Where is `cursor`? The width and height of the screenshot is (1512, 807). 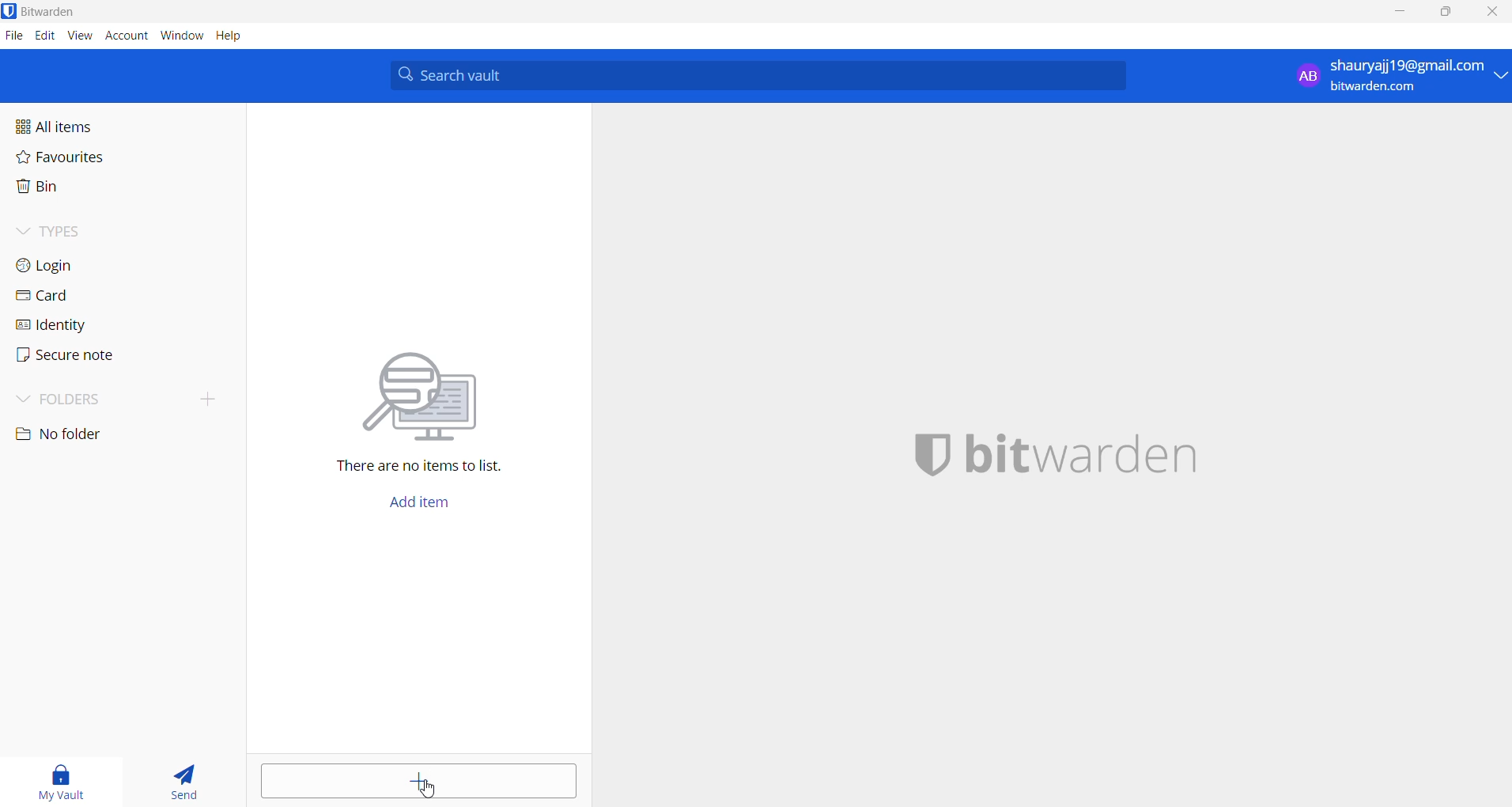
cursor is located at coordinates (432, 788).